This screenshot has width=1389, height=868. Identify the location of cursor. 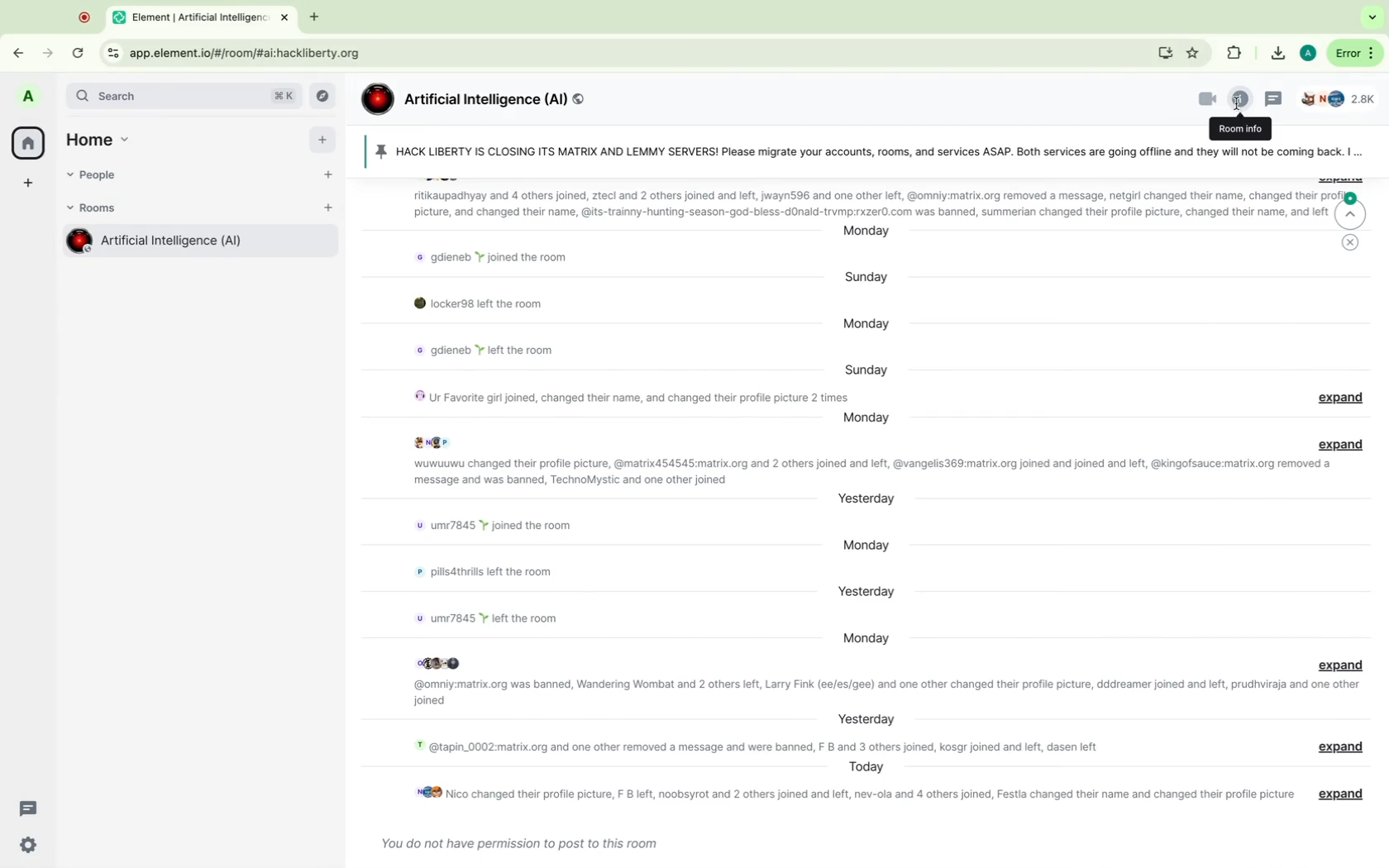
(1238, 102).